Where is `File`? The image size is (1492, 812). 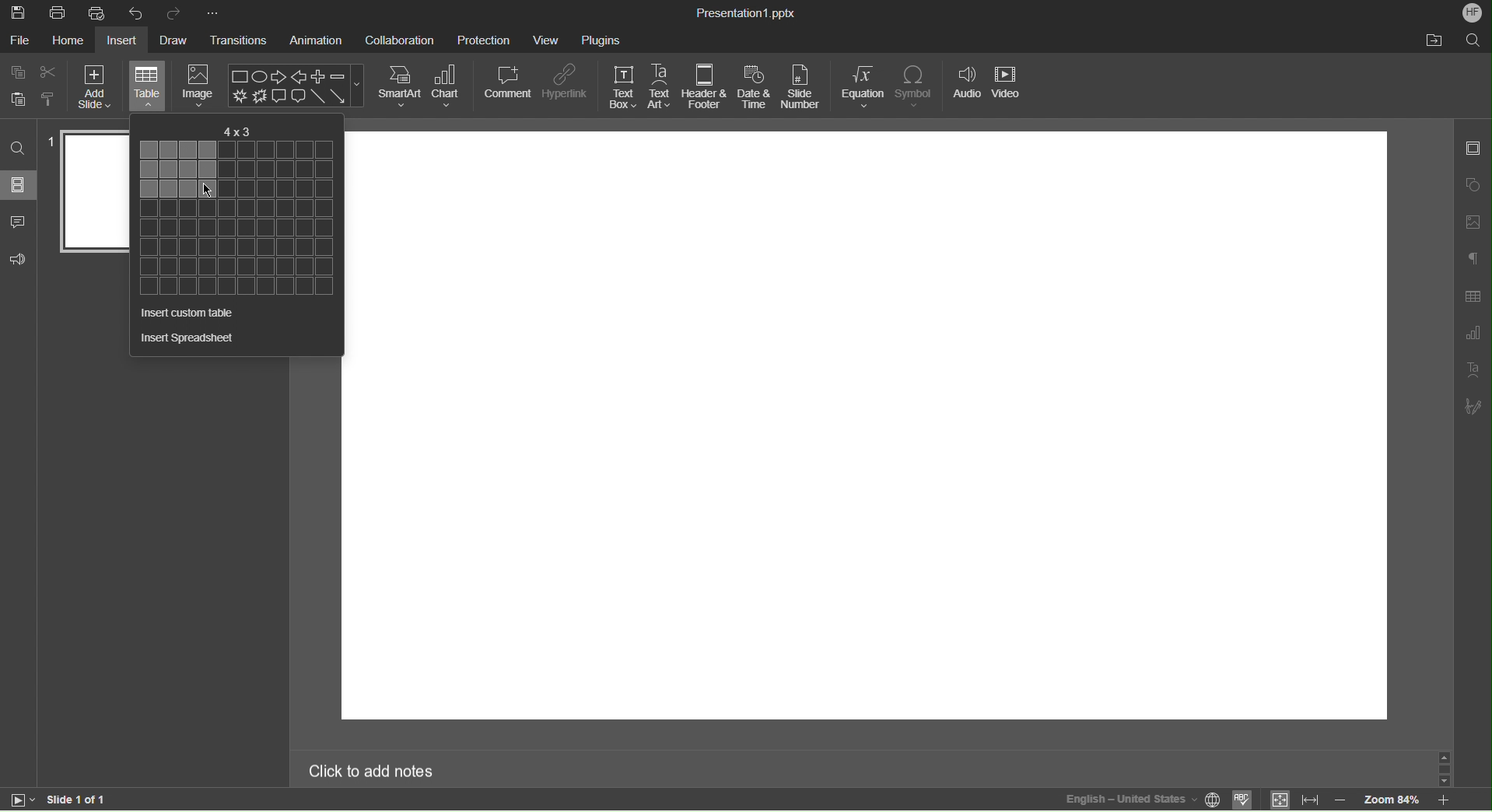
File is located at coordinates (20, 42).